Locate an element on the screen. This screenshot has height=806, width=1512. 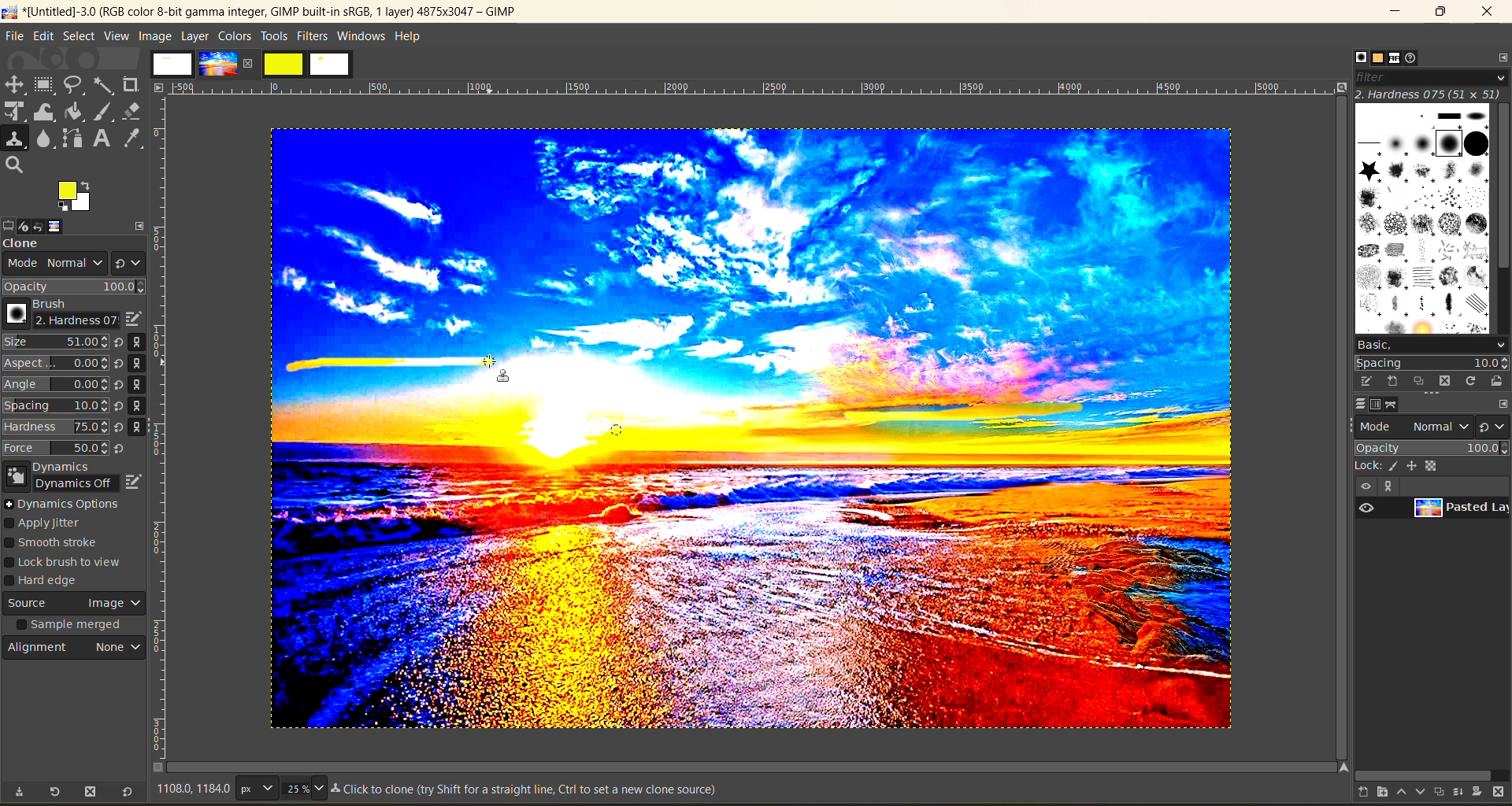
layers is located at coordinates (1355, 405).